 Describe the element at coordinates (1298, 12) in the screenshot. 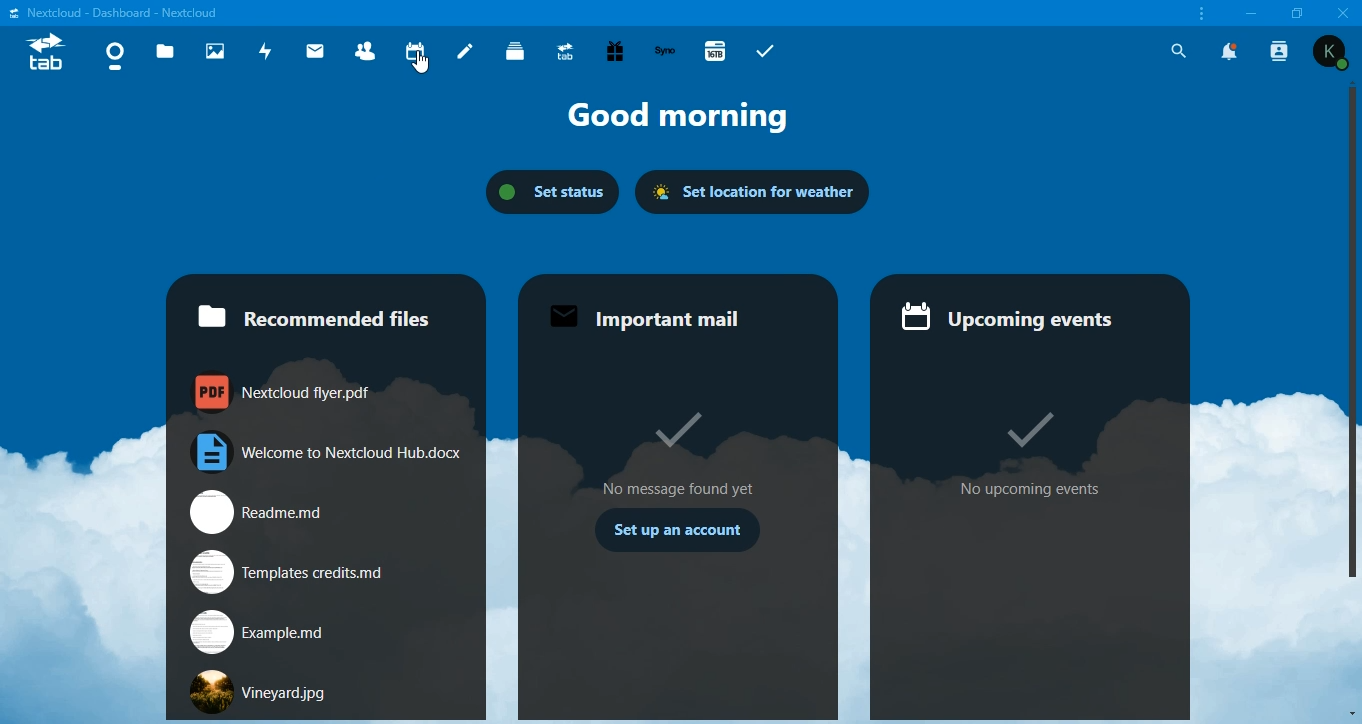

I see `restore window` at that location.